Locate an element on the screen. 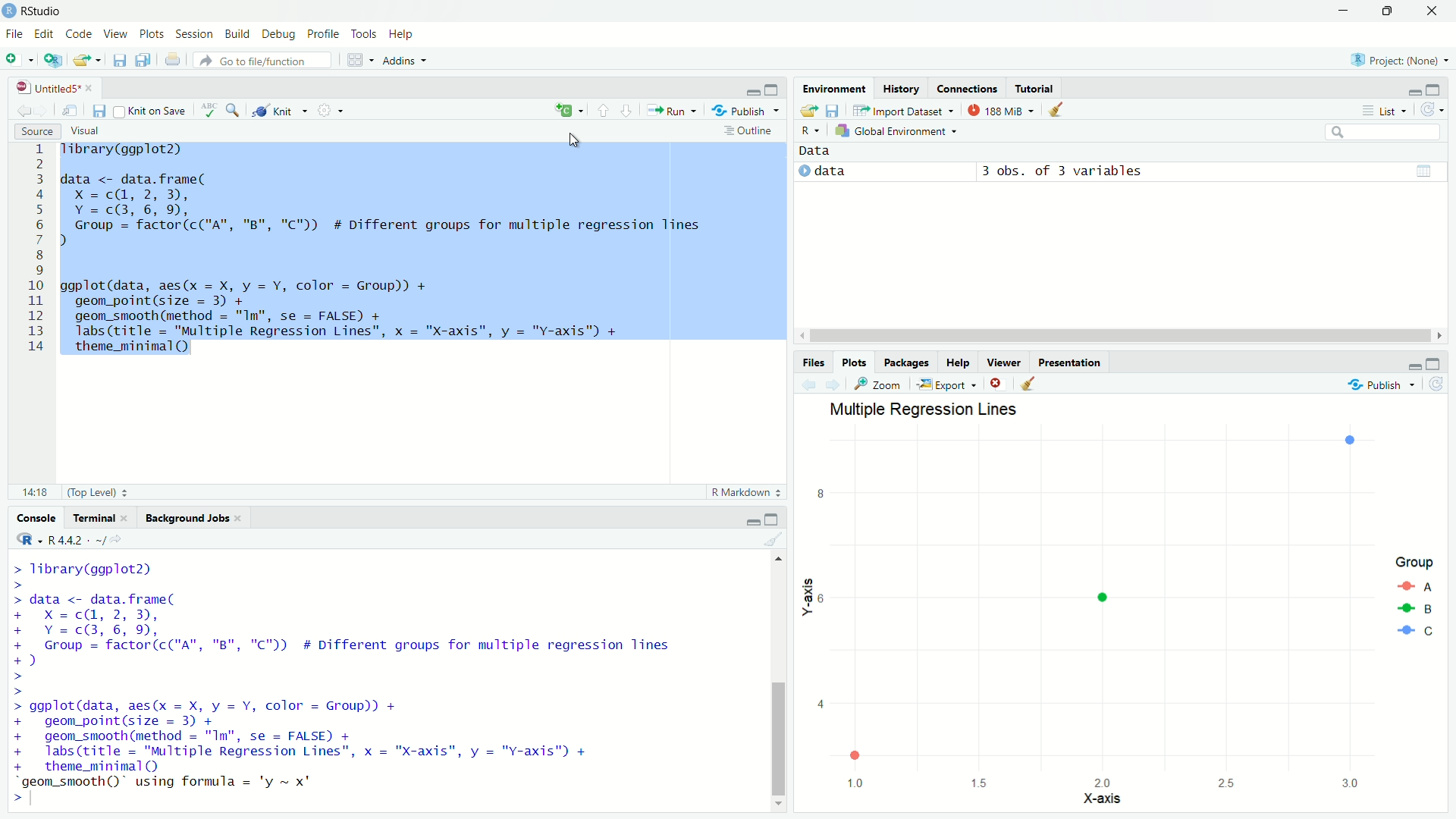 Image resolution: width=1456 pixels, height=819 pixels. refresh is located at coordinates (1440, 385).